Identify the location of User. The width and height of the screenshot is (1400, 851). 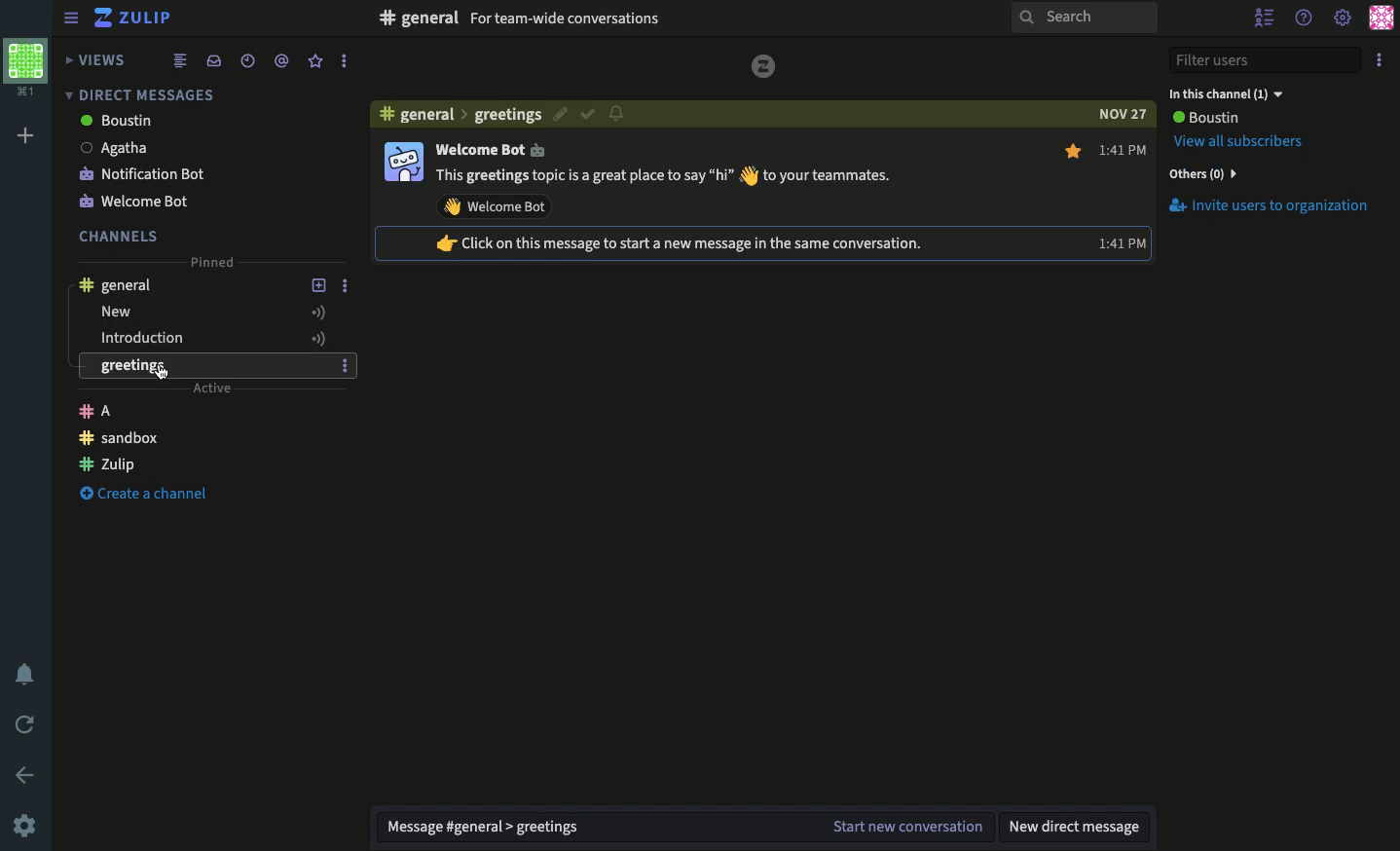
(1204, 118).